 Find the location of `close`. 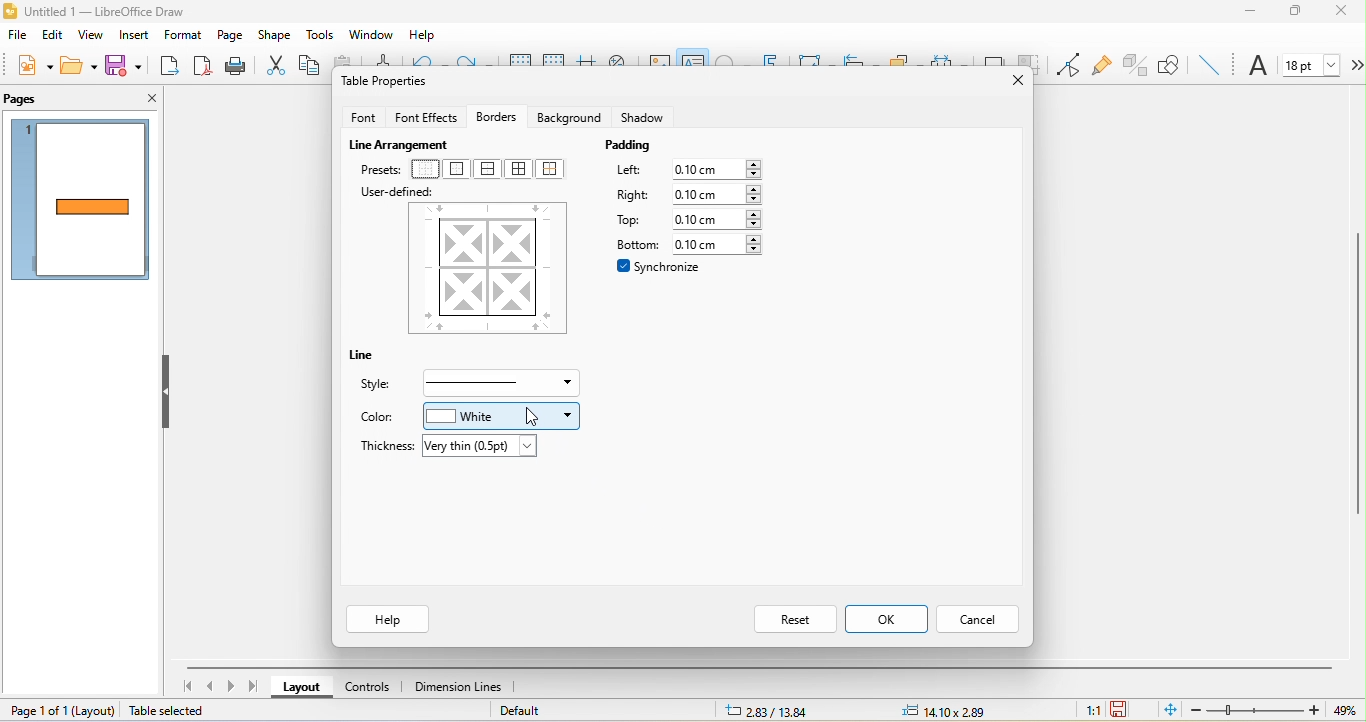

close is located at coordinates (150, 97).